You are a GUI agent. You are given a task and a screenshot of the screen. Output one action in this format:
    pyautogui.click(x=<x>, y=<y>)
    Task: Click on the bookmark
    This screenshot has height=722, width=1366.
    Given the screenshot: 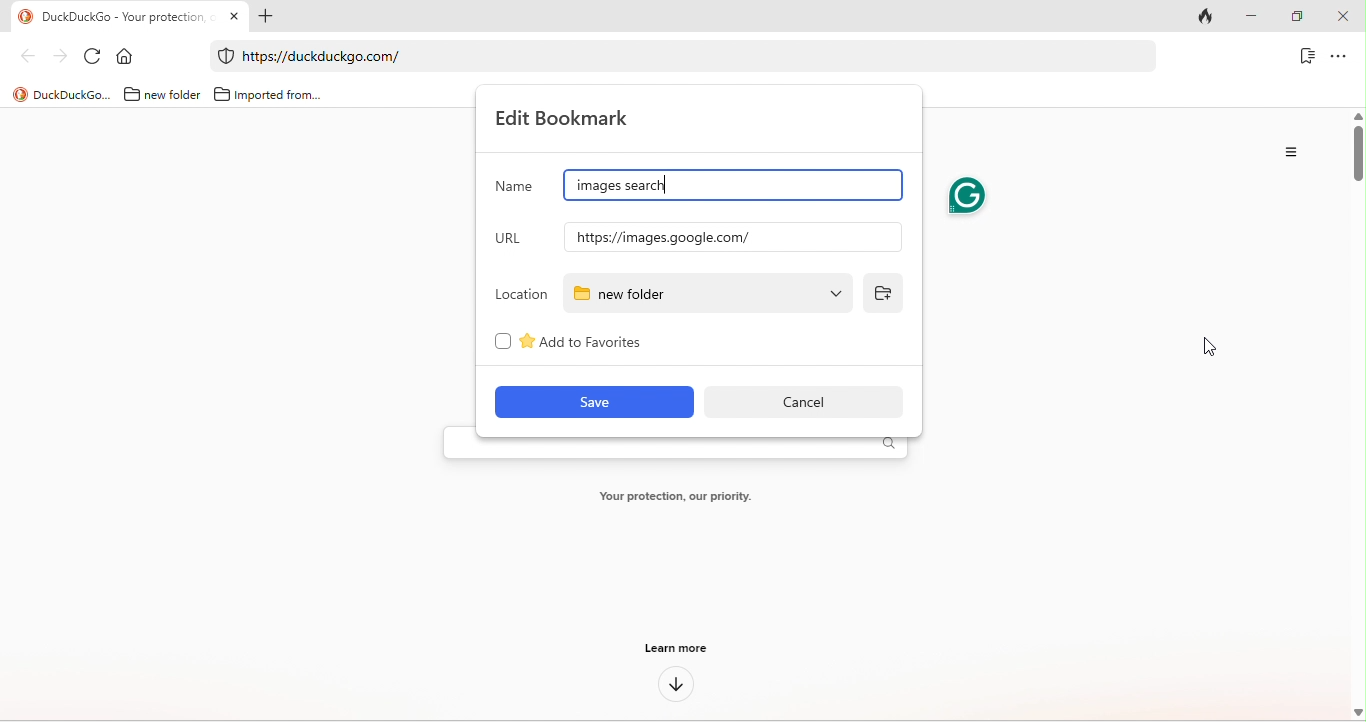 What is the action you would take?
    pyautogui.click(x=1305, y=58)
    